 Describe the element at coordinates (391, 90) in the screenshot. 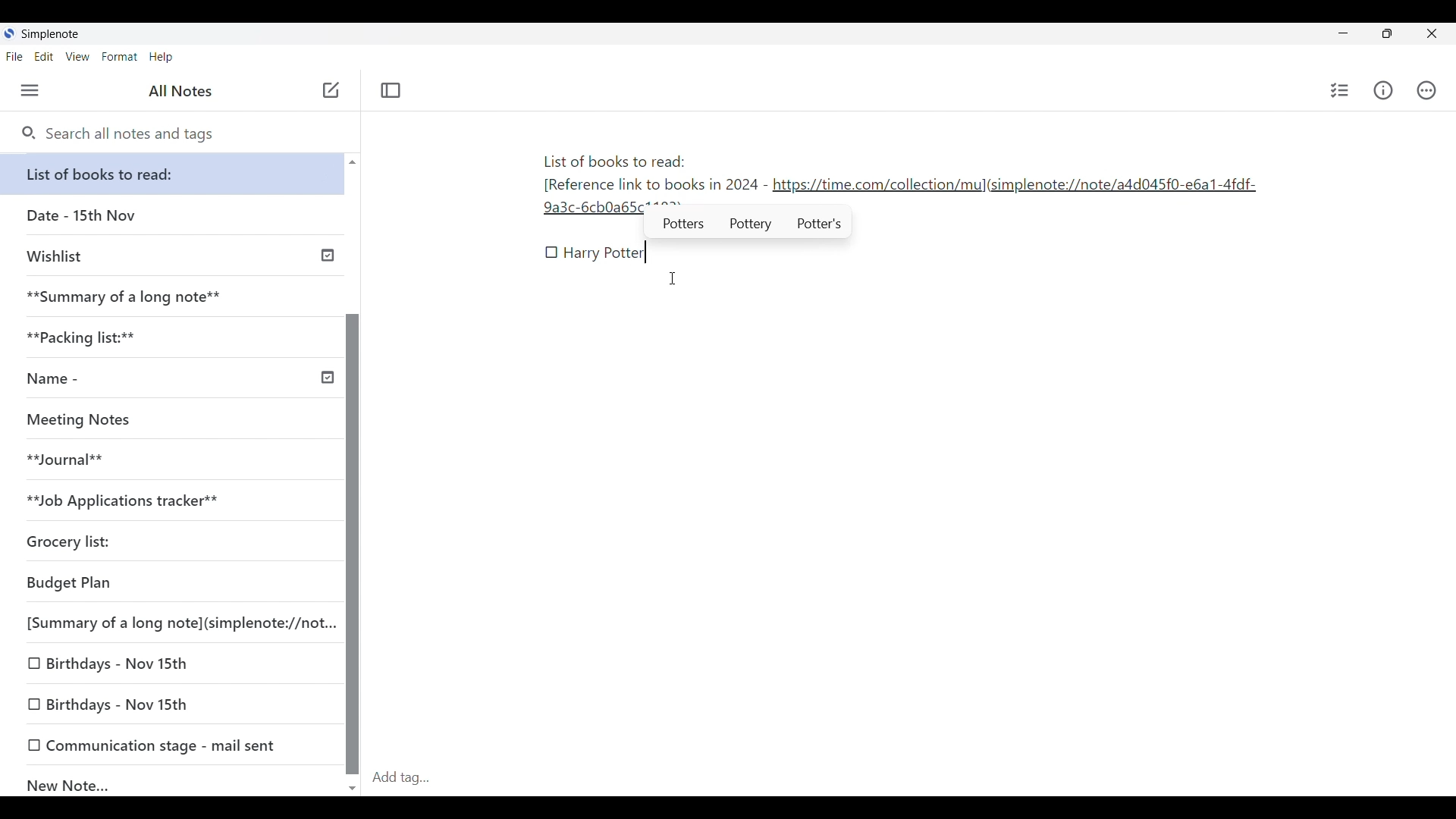

I see `Toggle focus mode` at that location.